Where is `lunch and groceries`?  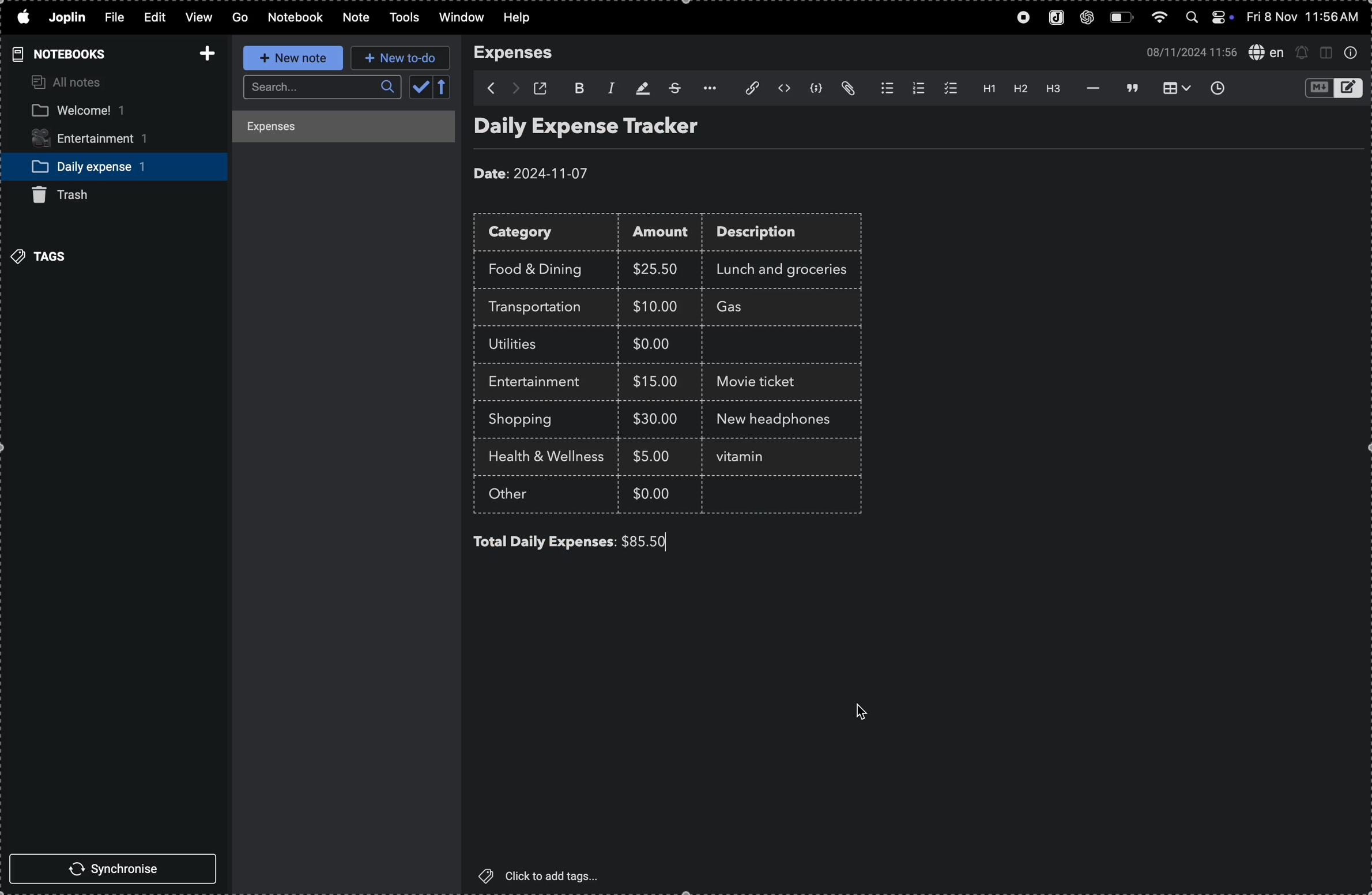
lunch and groceries is located at coordinates (789, 268).